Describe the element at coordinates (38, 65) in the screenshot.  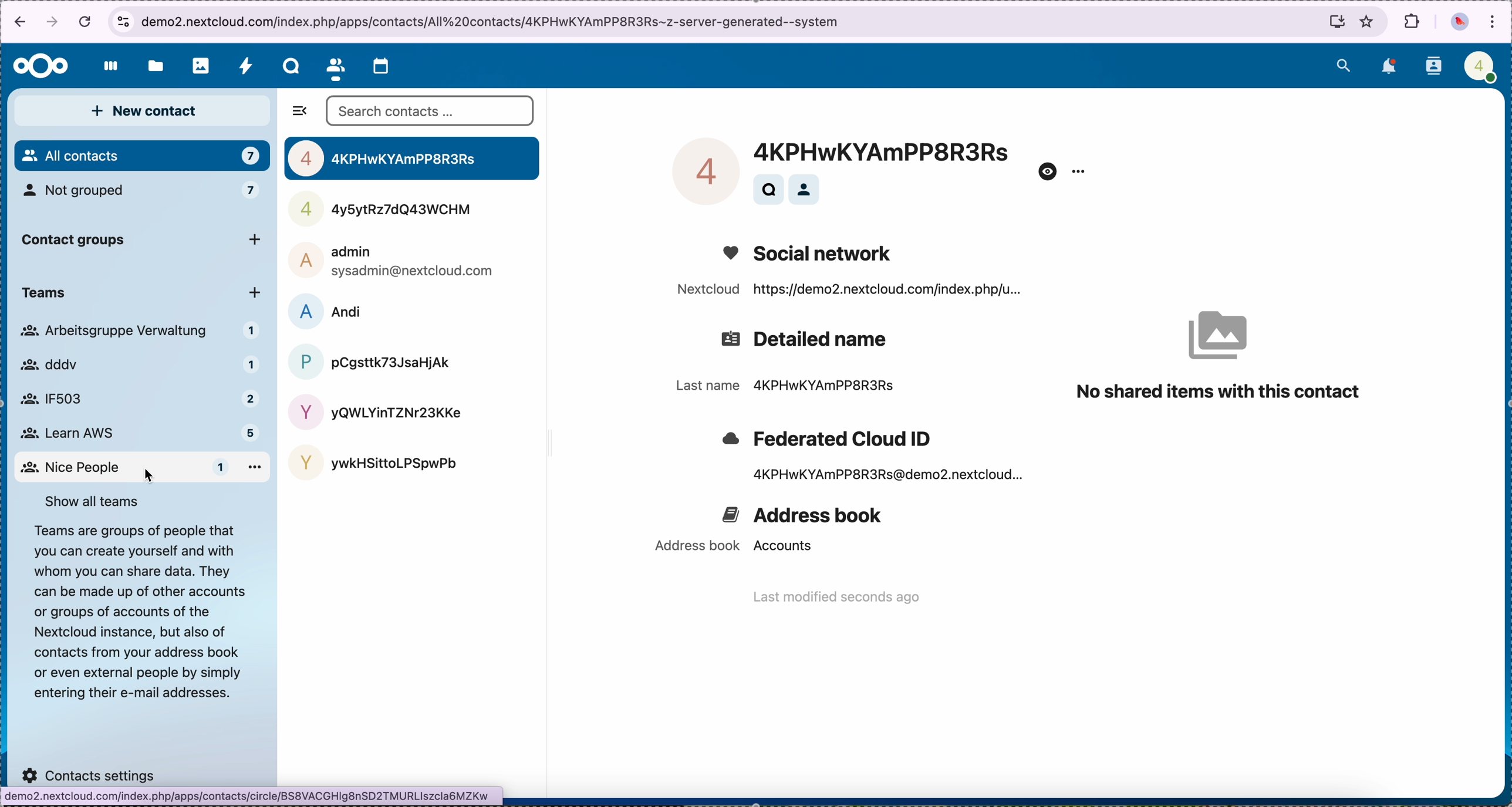
I see `Nextcloud logo` at that location.